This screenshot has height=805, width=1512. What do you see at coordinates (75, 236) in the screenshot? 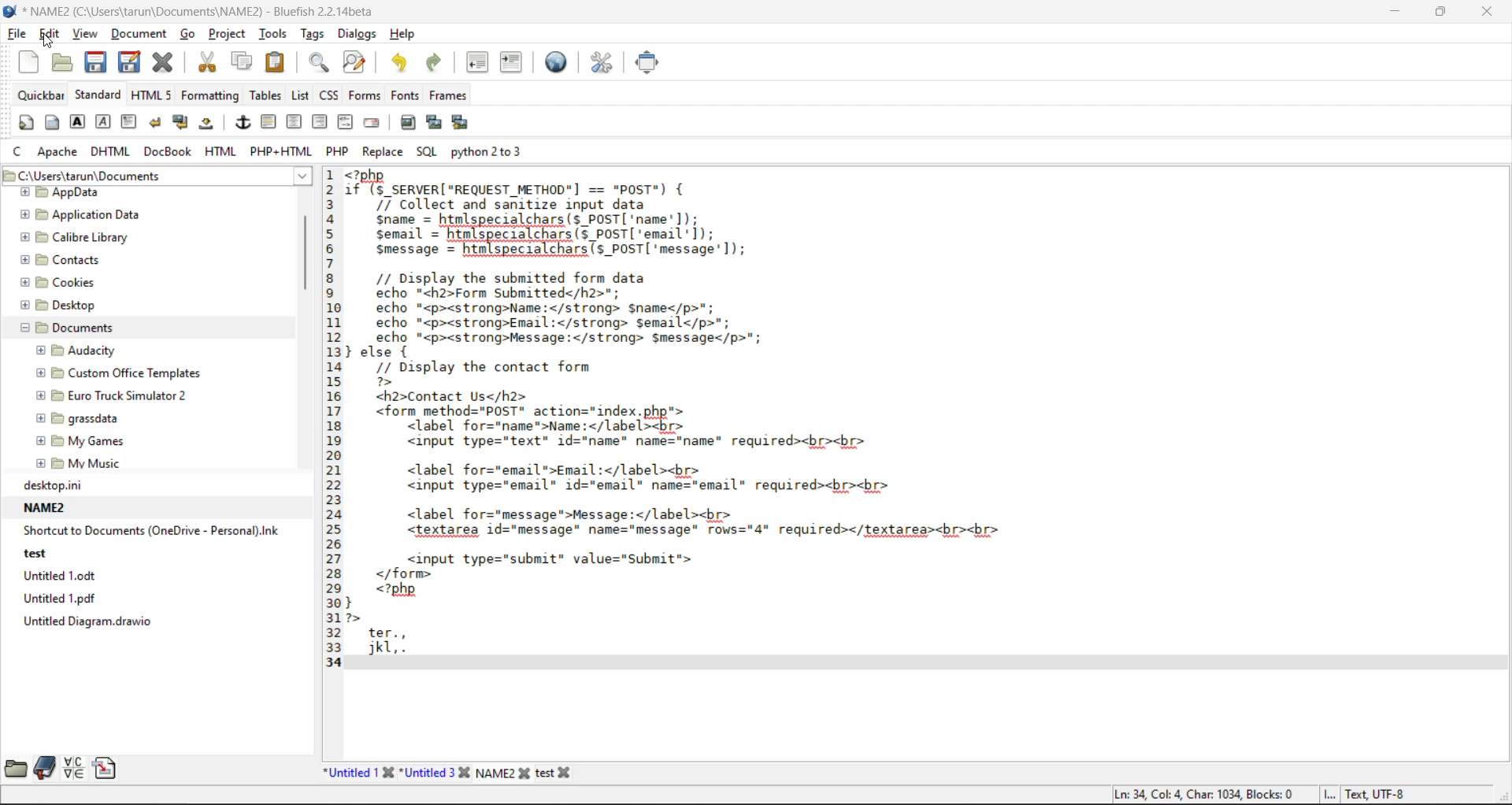
I see `Calibre Library` at bounding box center [75, 236].